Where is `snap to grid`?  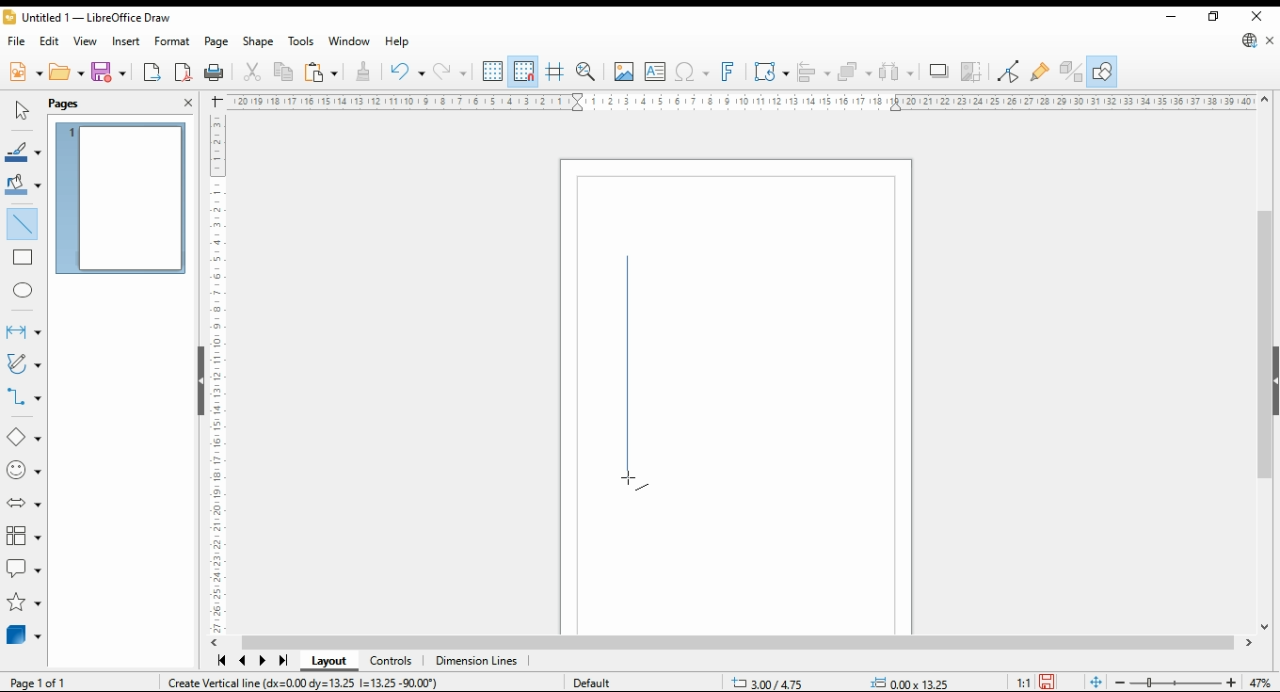
snap to grid is located at coordinates (523, 71).